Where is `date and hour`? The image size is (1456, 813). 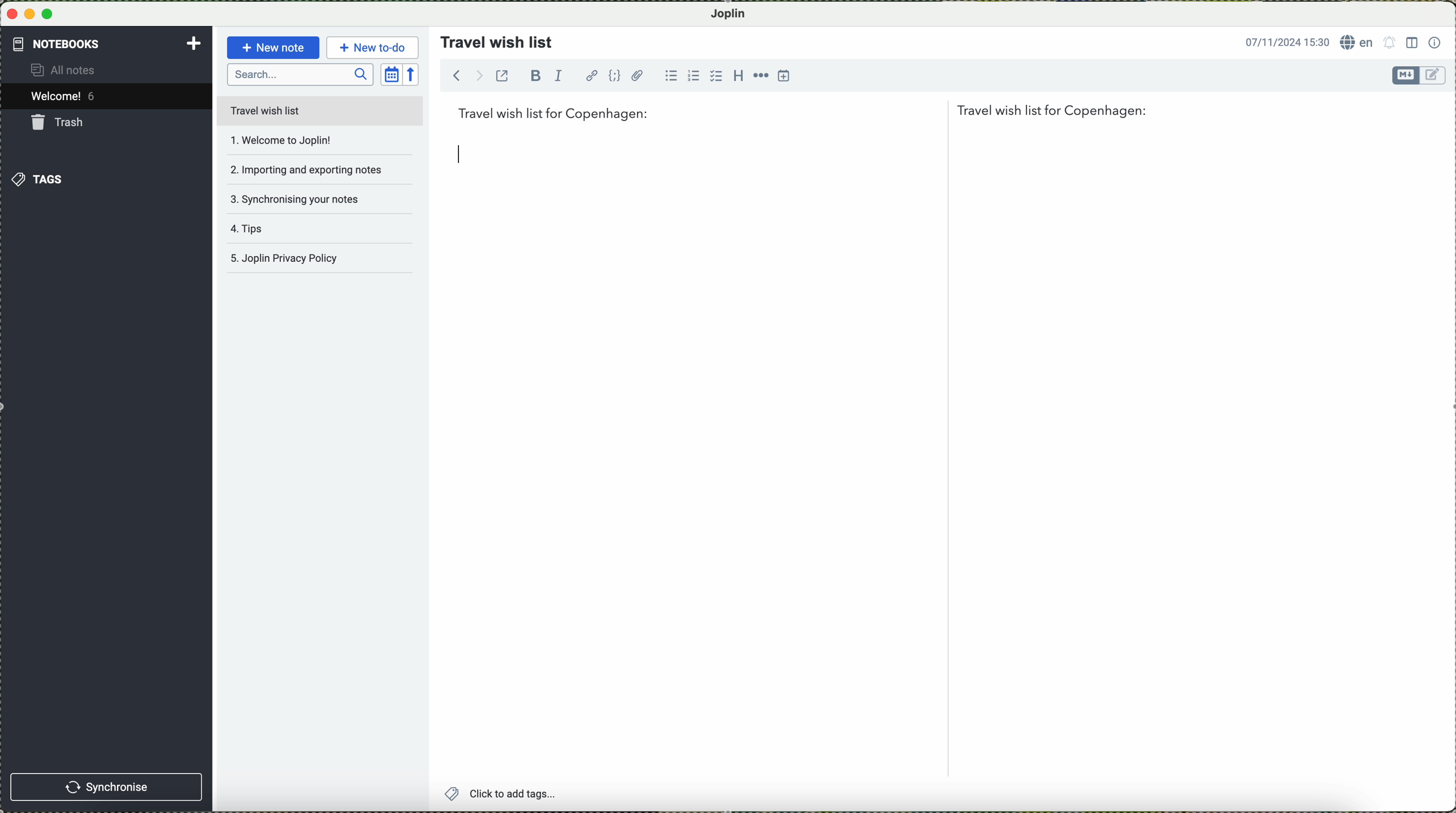 date and hour is located at coordinates (1283, 41).